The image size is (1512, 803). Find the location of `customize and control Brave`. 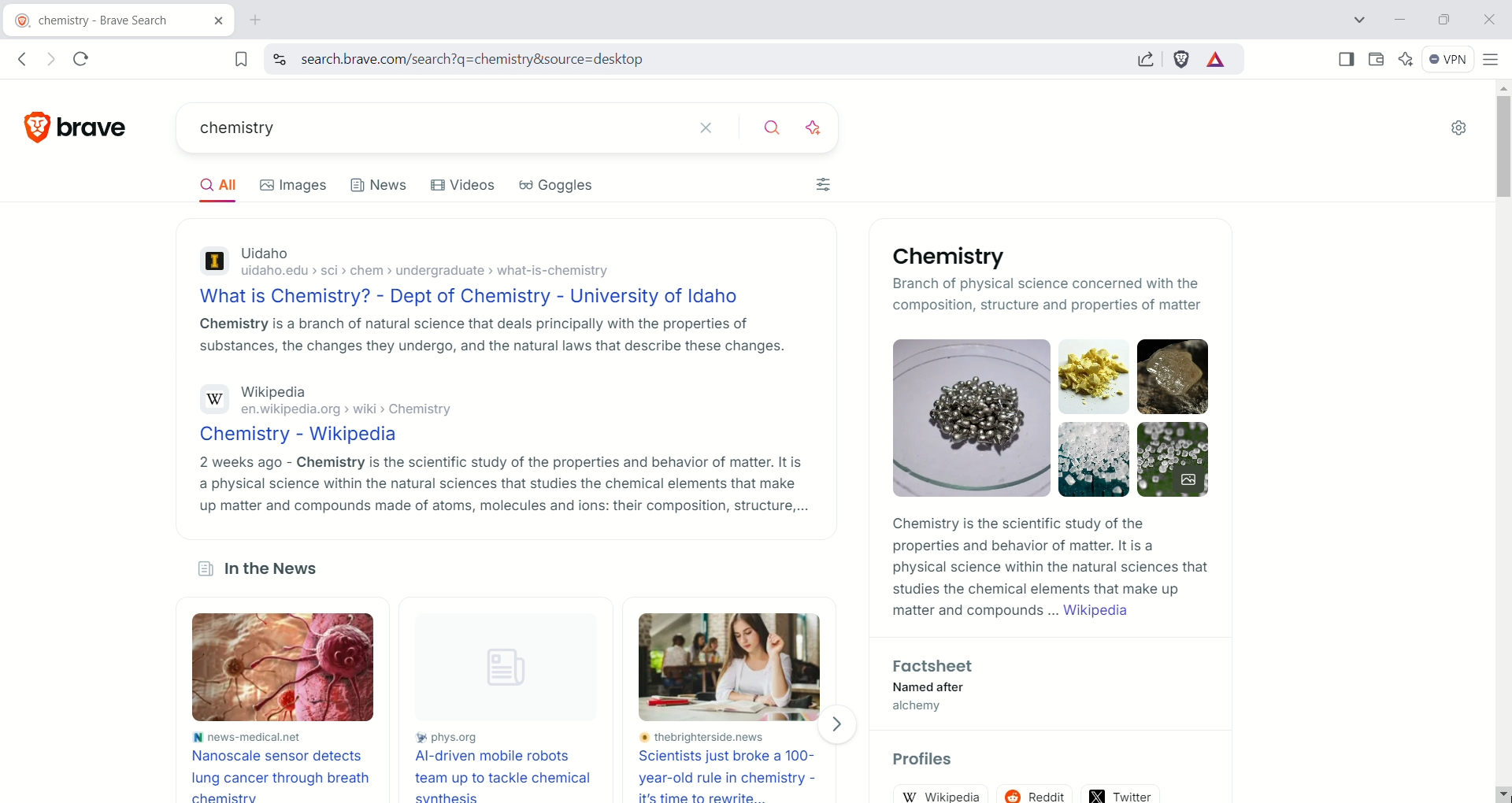

customize and control Brave is located at coordinates (1492, 58).